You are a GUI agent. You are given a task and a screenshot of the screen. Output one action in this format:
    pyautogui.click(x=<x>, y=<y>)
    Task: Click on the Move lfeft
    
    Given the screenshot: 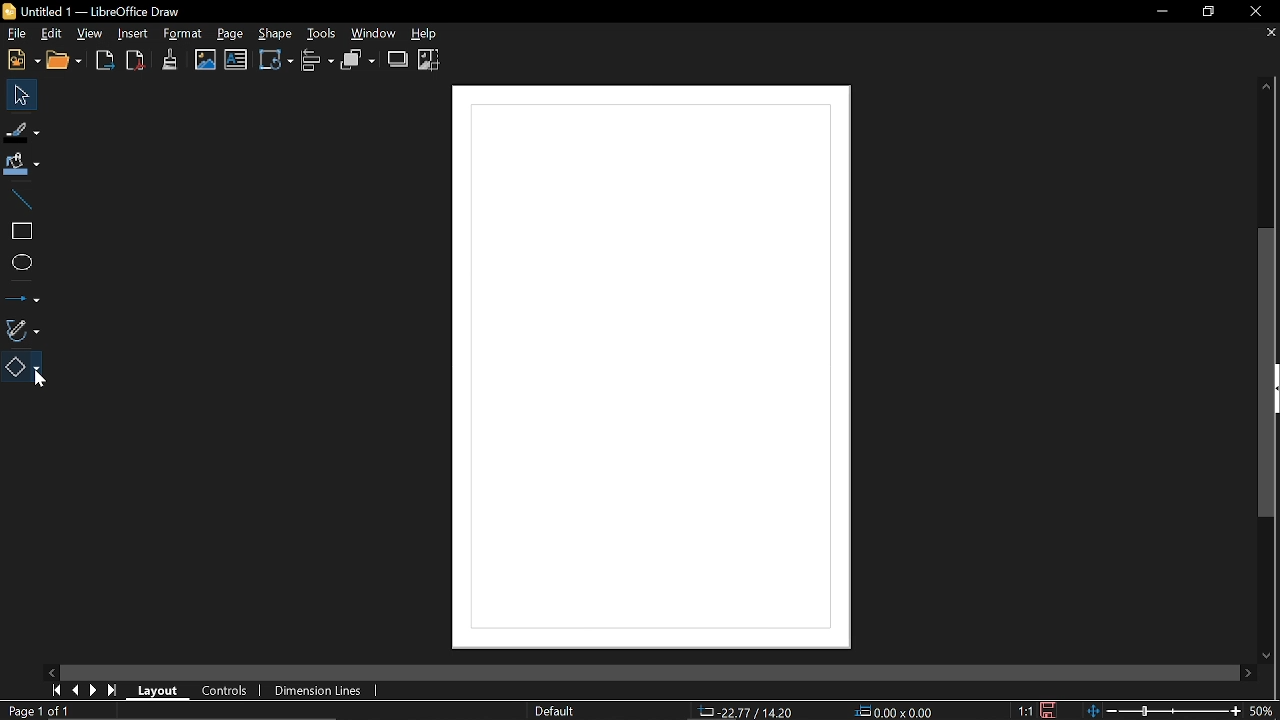 What is the action you would take?
    pyautogui.click(x=53, y=671)
    